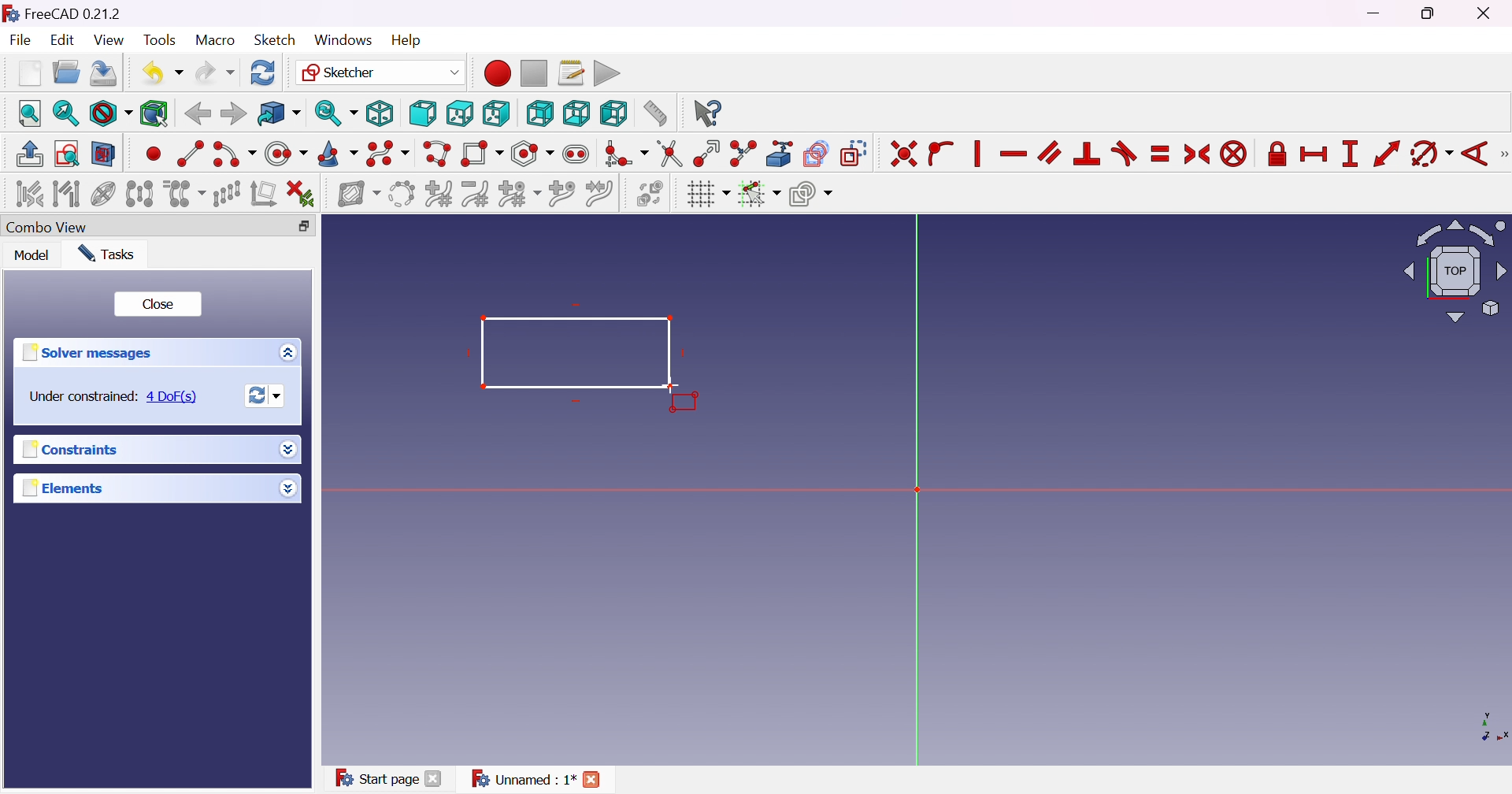 The image size is (1512, 794). What do you see at coordinates (380, 113) in the screenshot?
I see `Isometric` at bounding box center [380, 113].